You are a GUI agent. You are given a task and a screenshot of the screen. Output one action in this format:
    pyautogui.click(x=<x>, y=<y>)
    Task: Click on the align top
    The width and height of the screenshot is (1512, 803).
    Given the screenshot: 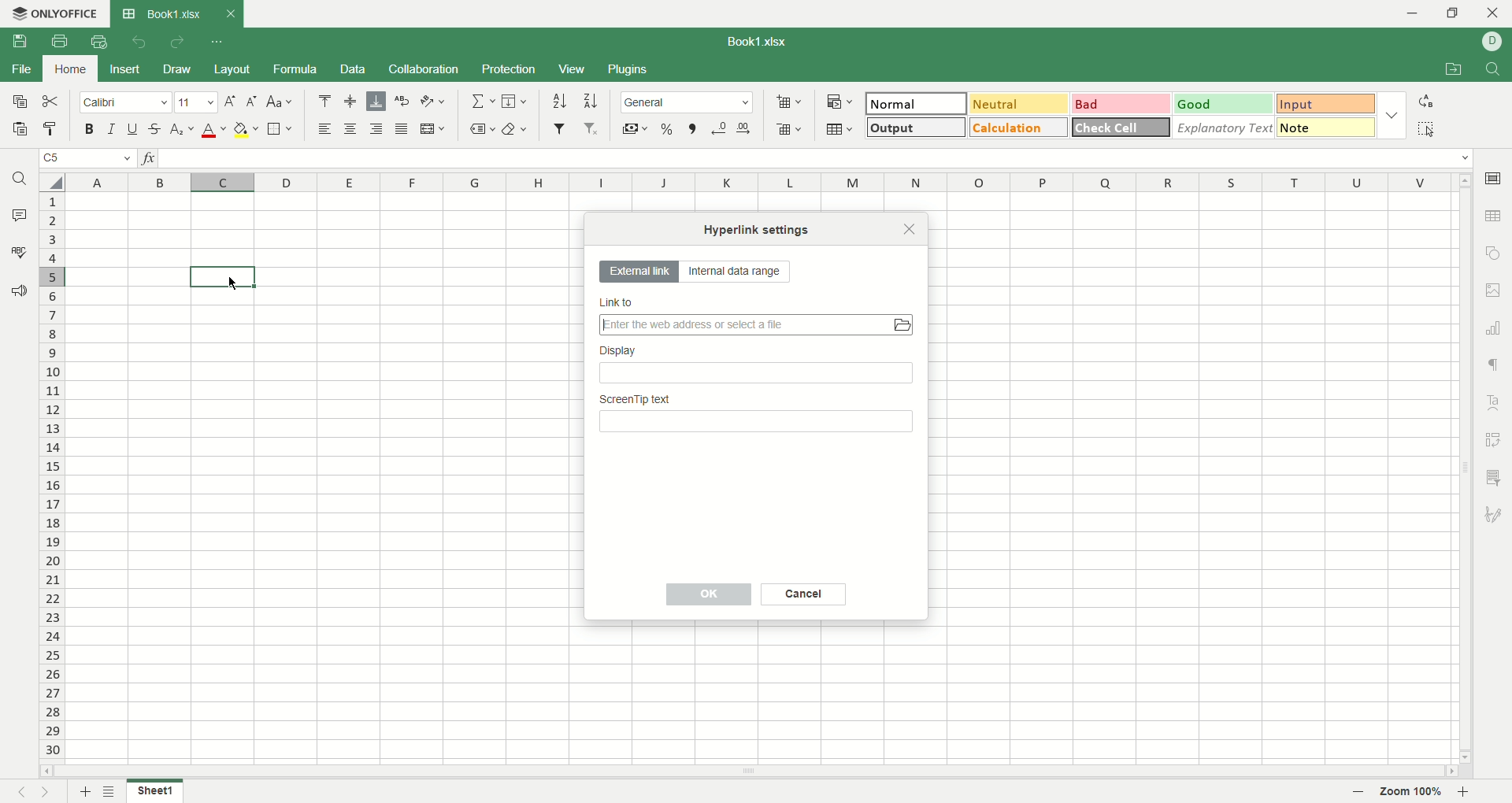 What is the action you would take?
    pyautogui.click(x=324, y=101)
    